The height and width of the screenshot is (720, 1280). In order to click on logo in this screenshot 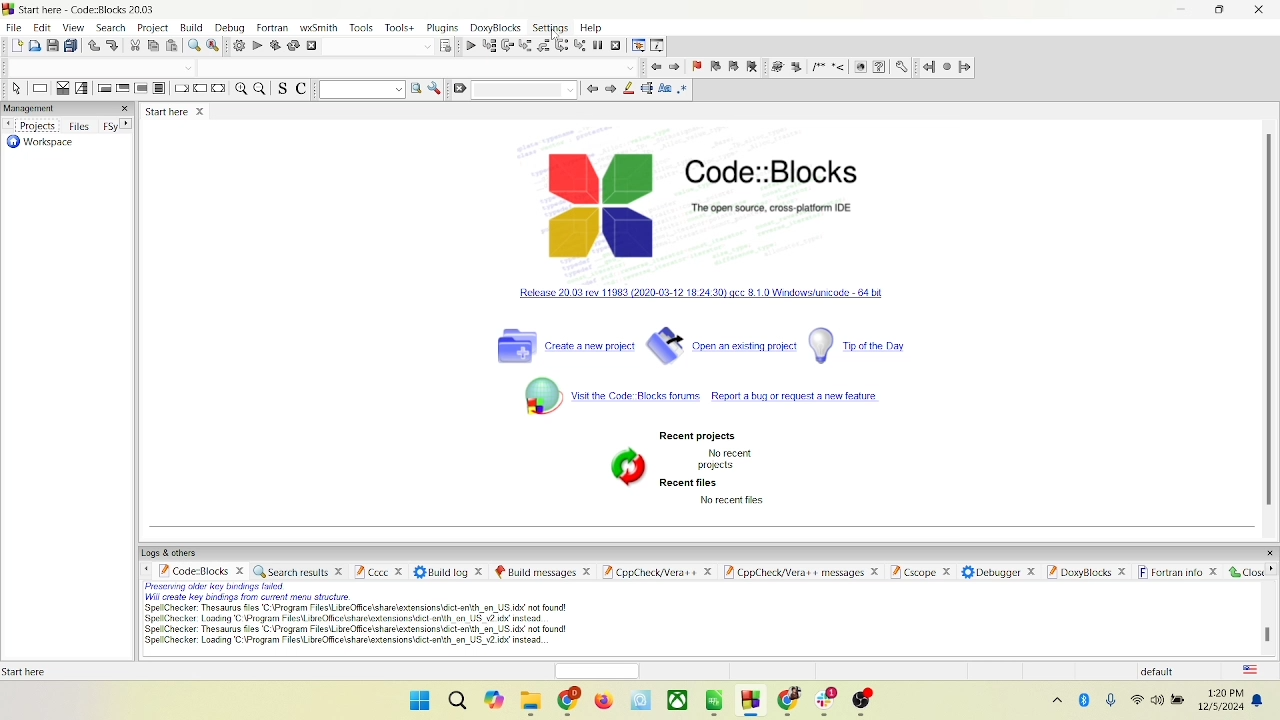, I will do `click(9, 10)`.